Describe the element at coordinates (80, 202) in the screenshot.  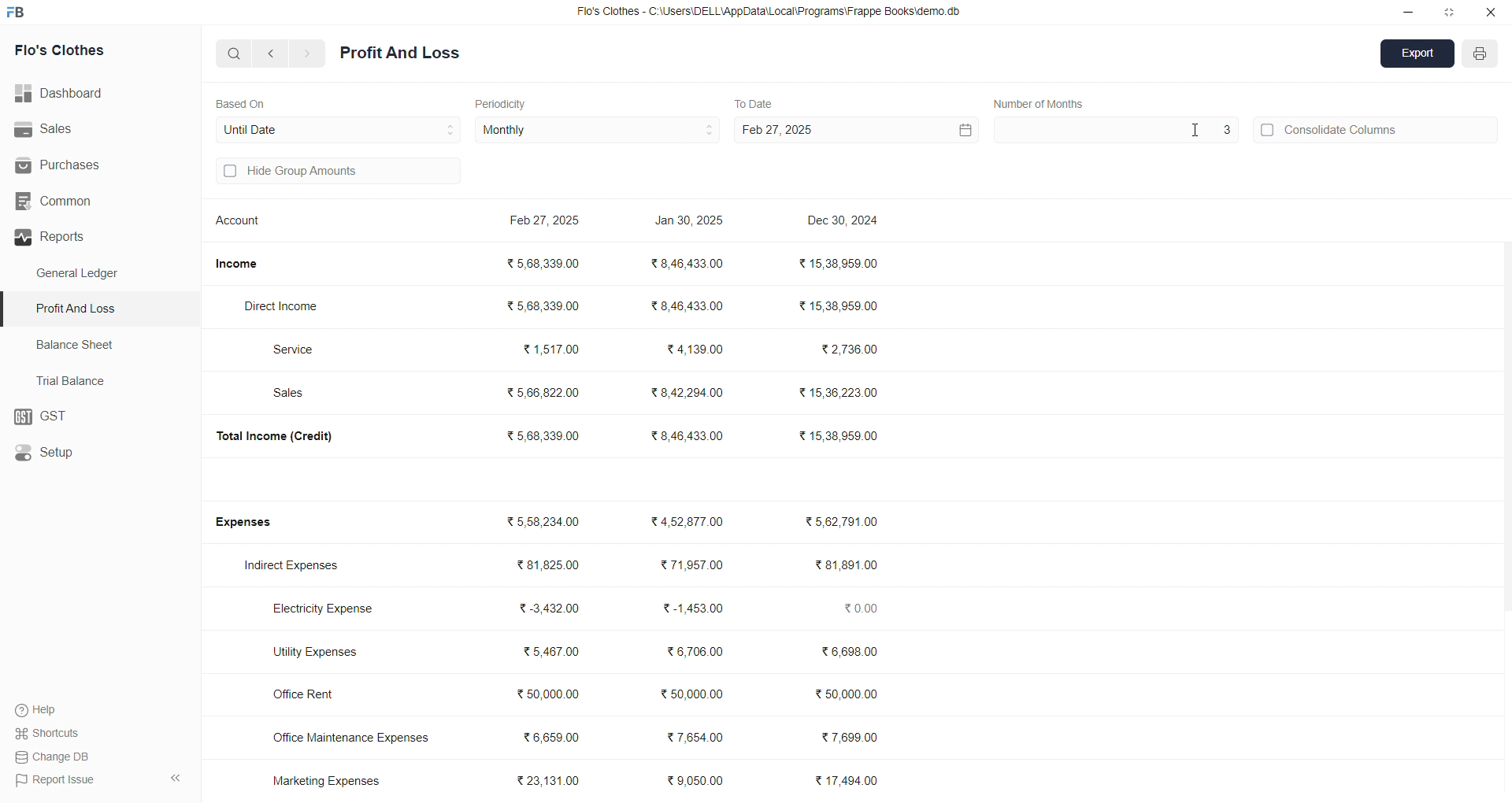
I see `Common` at that location.